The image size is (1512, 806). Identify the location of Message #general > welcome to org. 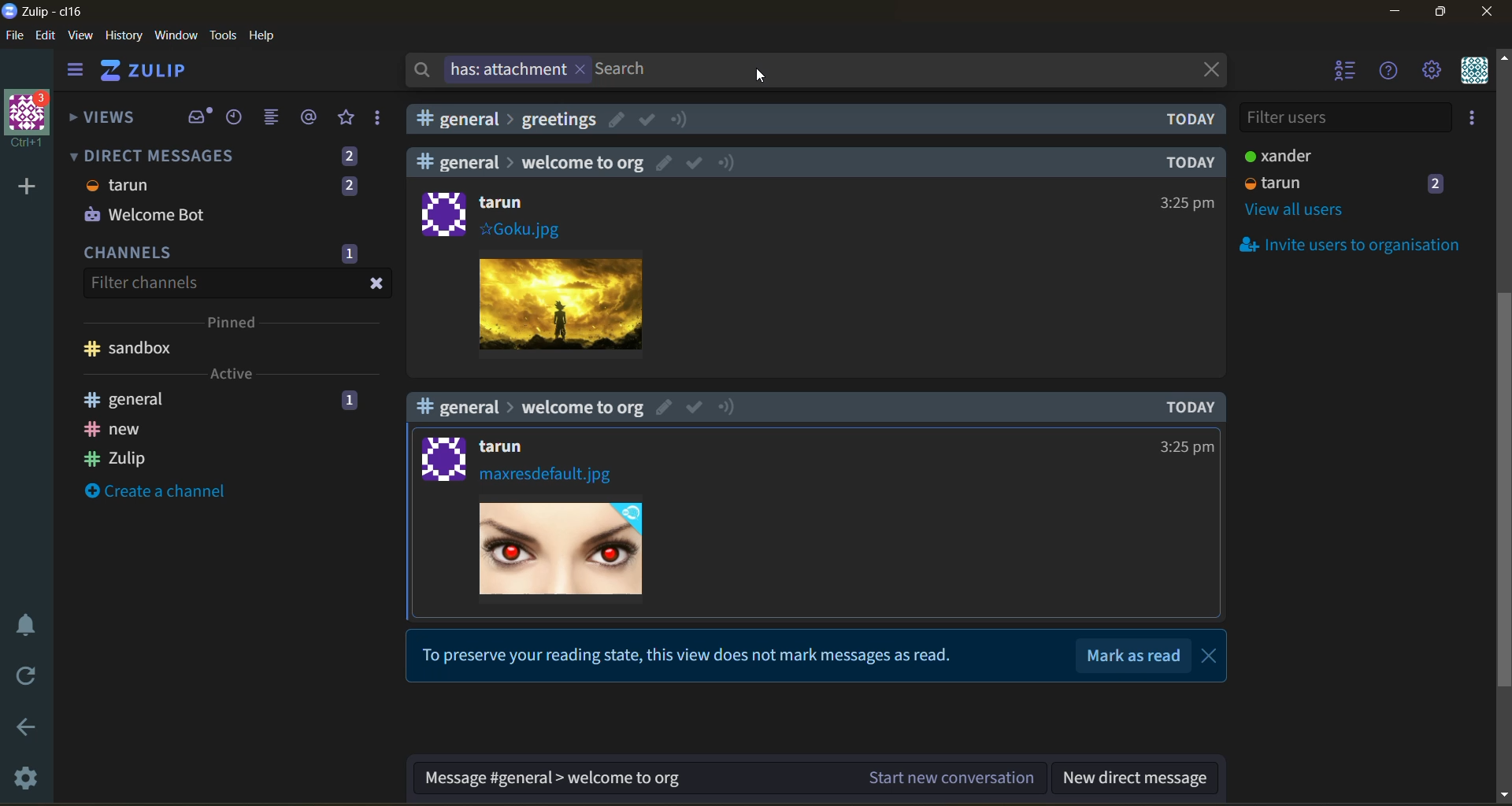
(552, 779).